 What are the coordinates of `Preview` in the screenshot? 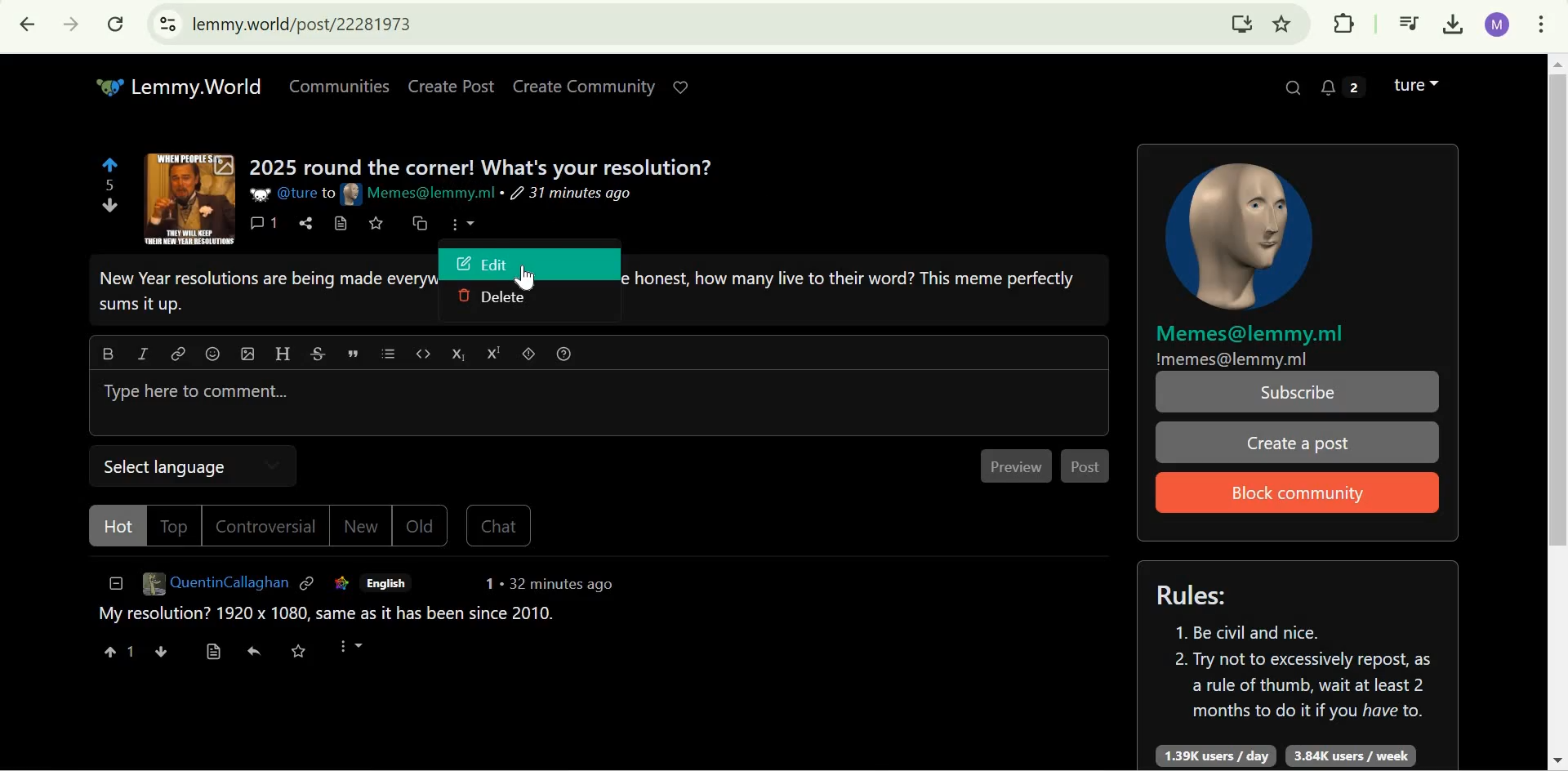 It's located at (1017, 467).